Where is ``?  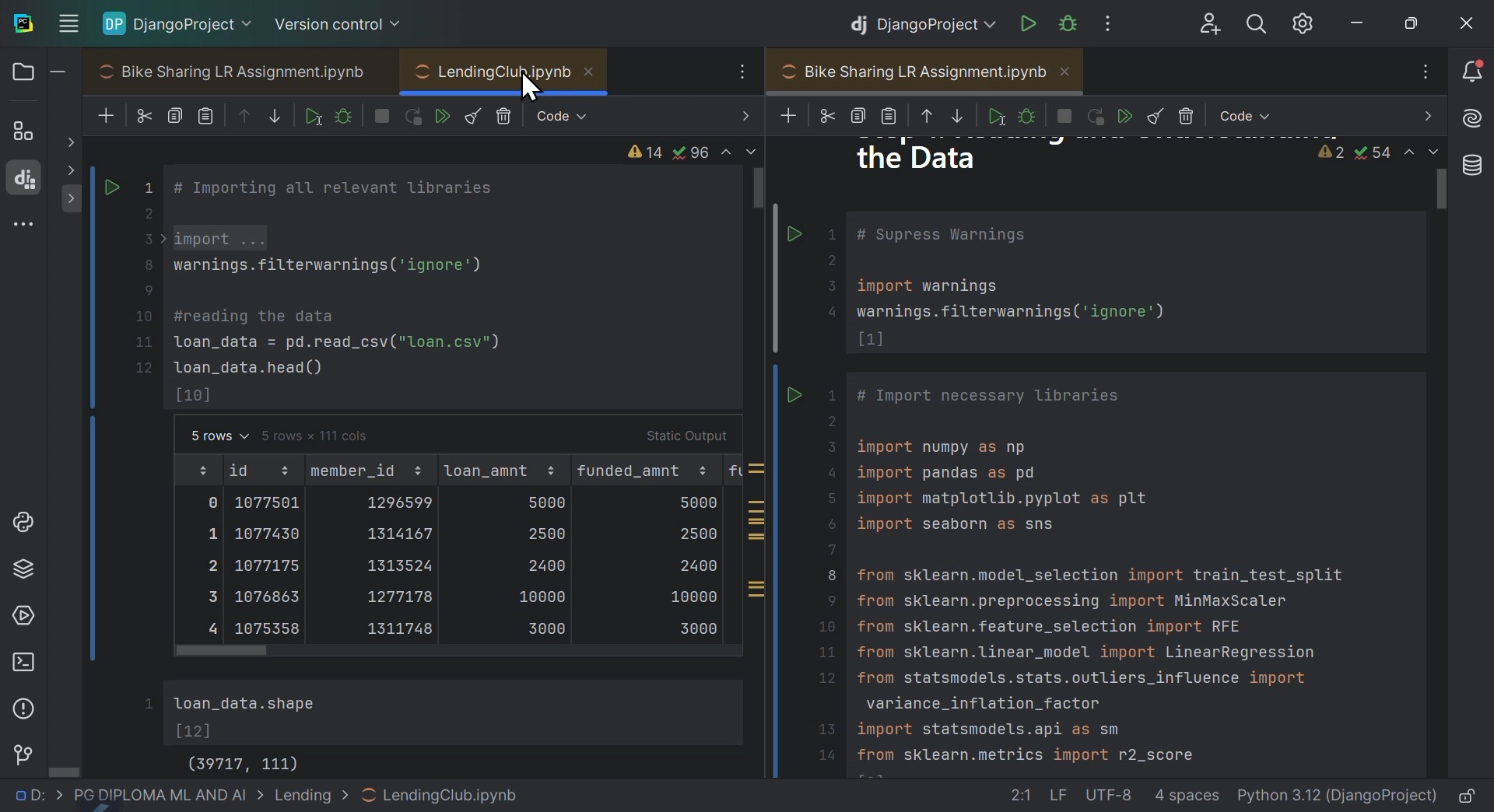
 is located at coordinates (994, 117).